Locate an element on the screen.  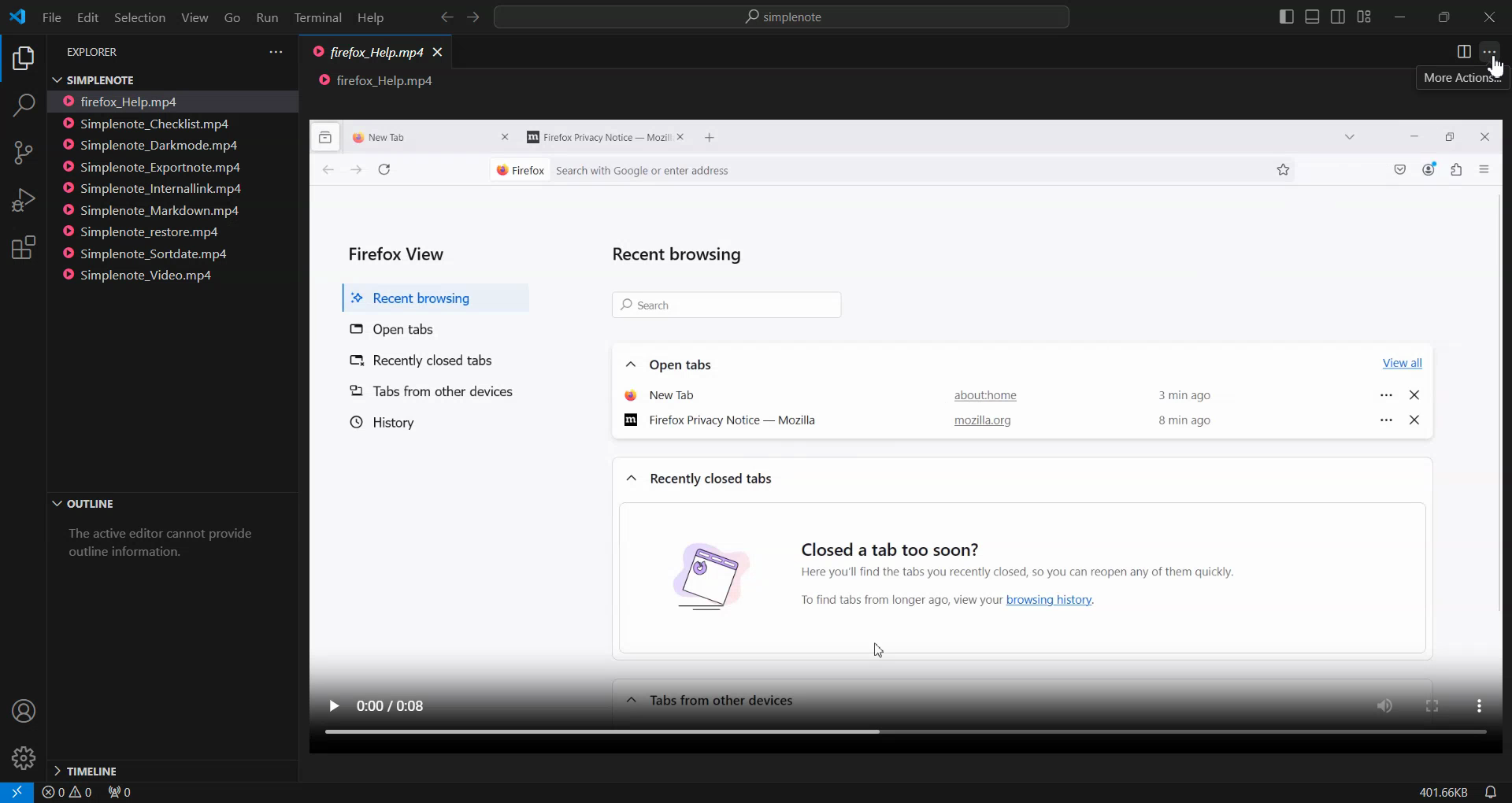
Recent browsing is located at coordinates (682, 253).